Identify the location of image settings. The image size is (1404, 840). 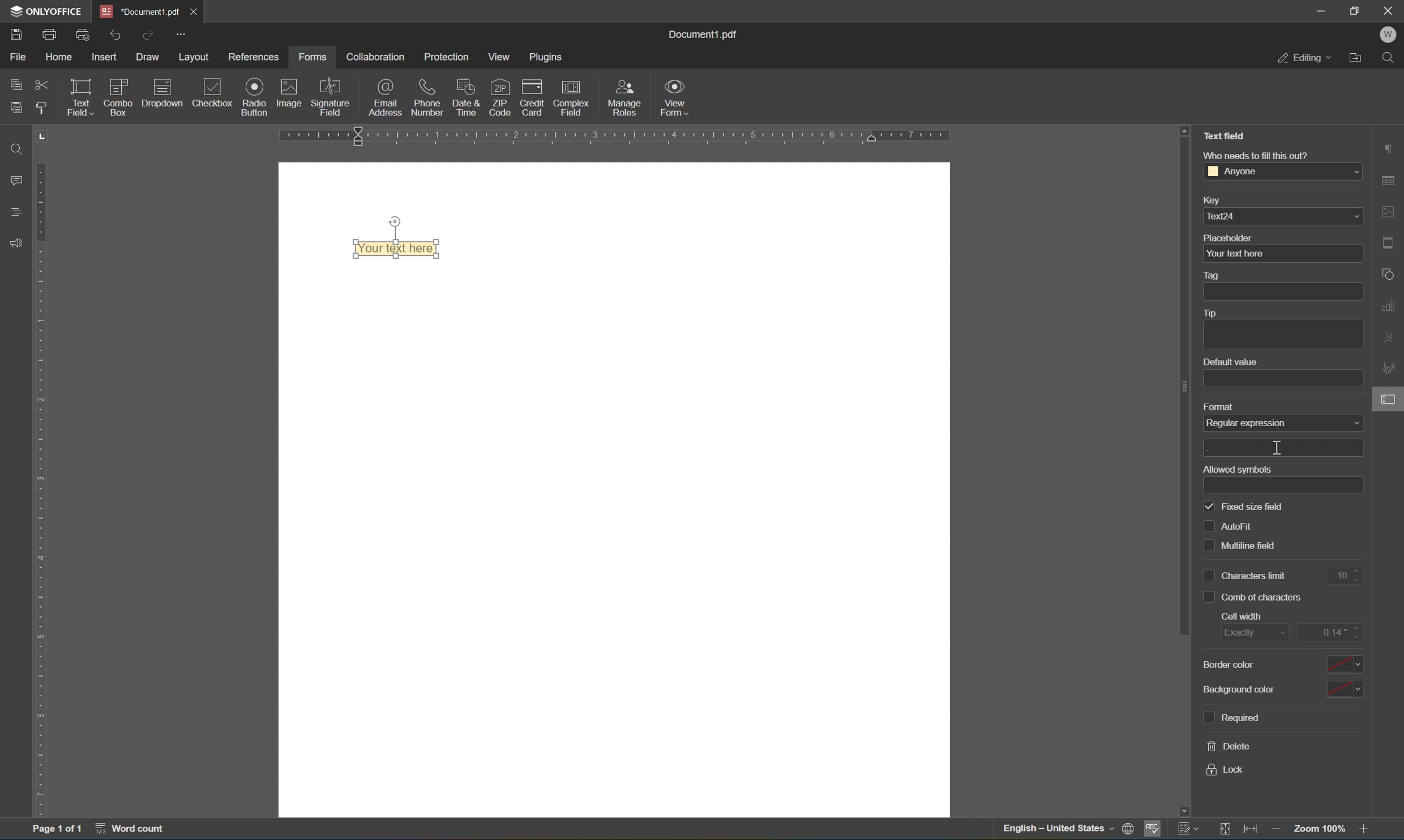
(1389, 212).